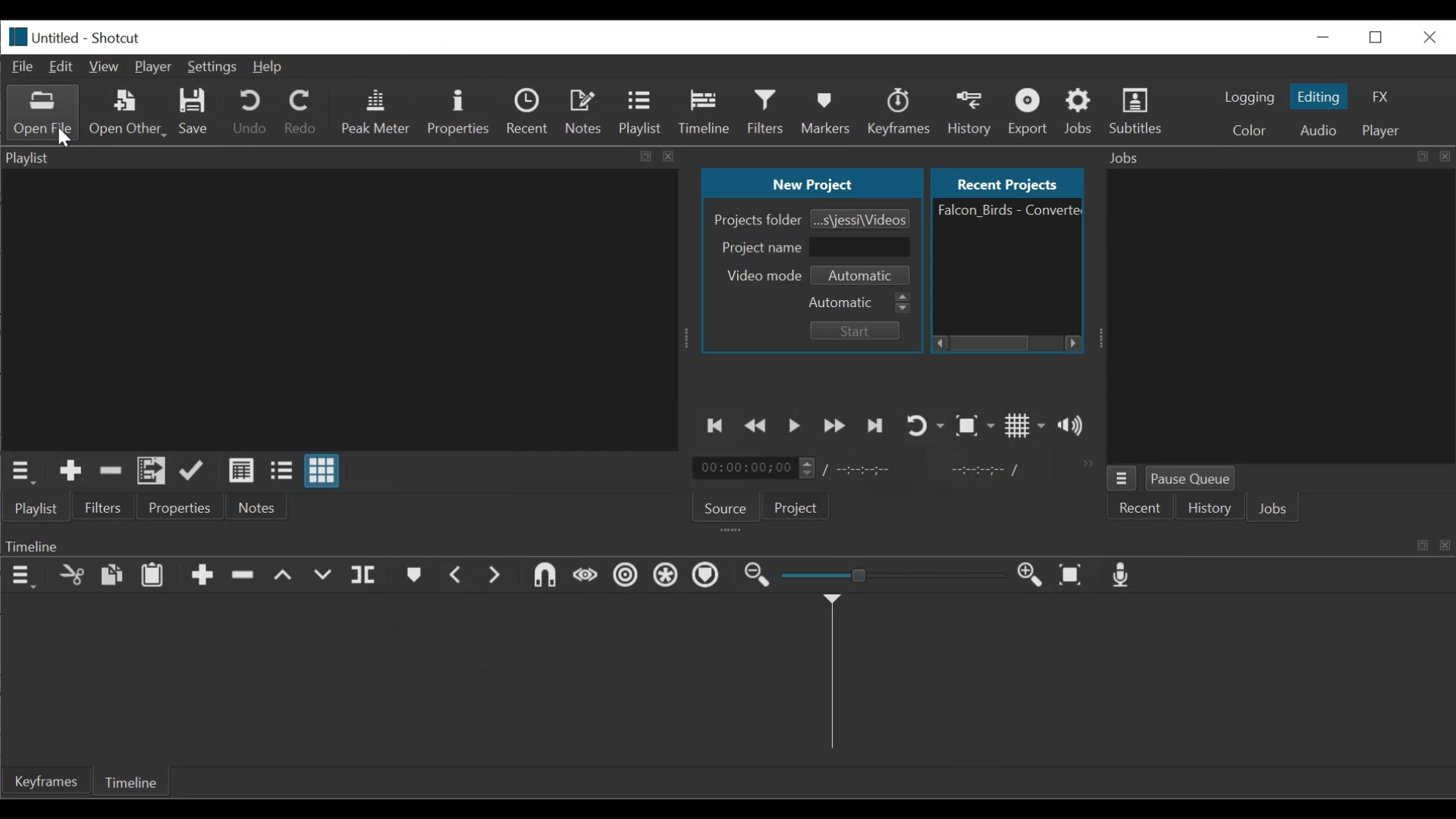 This screenshot has width=1456, height=819. Describe the element at coordinates (267, 68) in the screenshot. I see `Help` at that location.